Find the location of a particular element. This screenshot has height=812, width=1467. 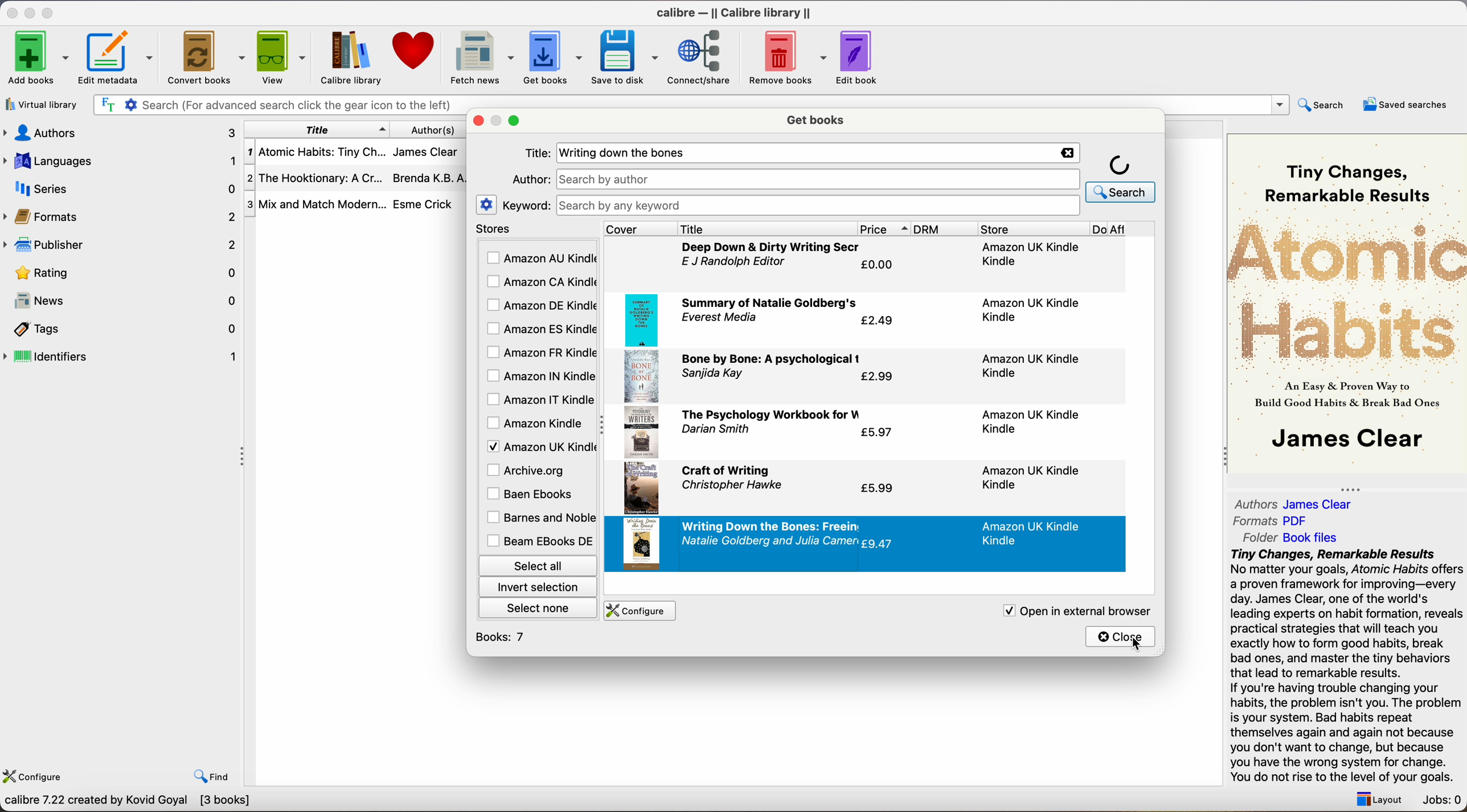

virtual library is located at coordinates (42, 106).